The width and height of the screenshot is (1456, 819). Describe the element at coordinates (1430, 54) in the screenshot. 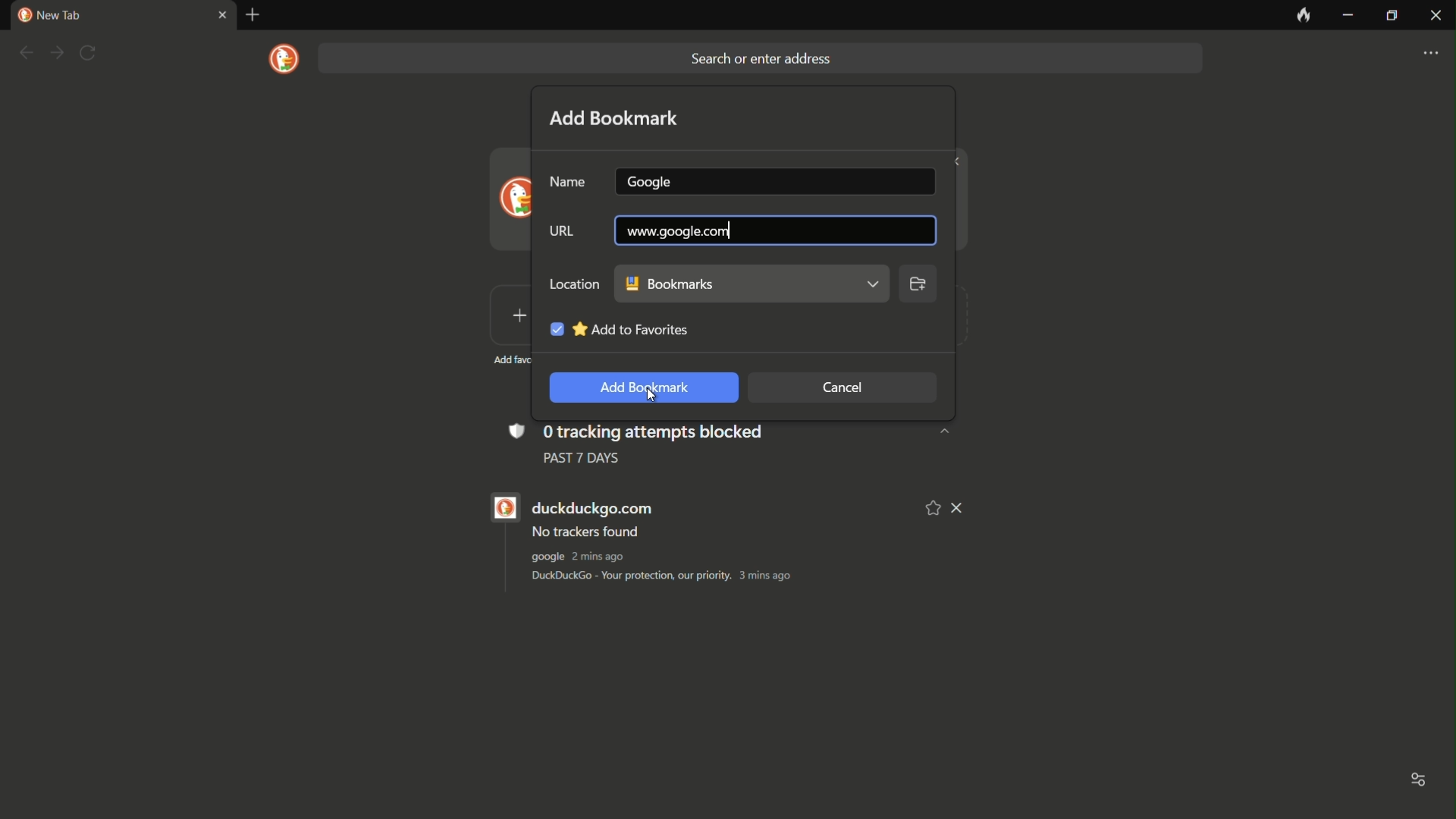

I see `settings` at that location.